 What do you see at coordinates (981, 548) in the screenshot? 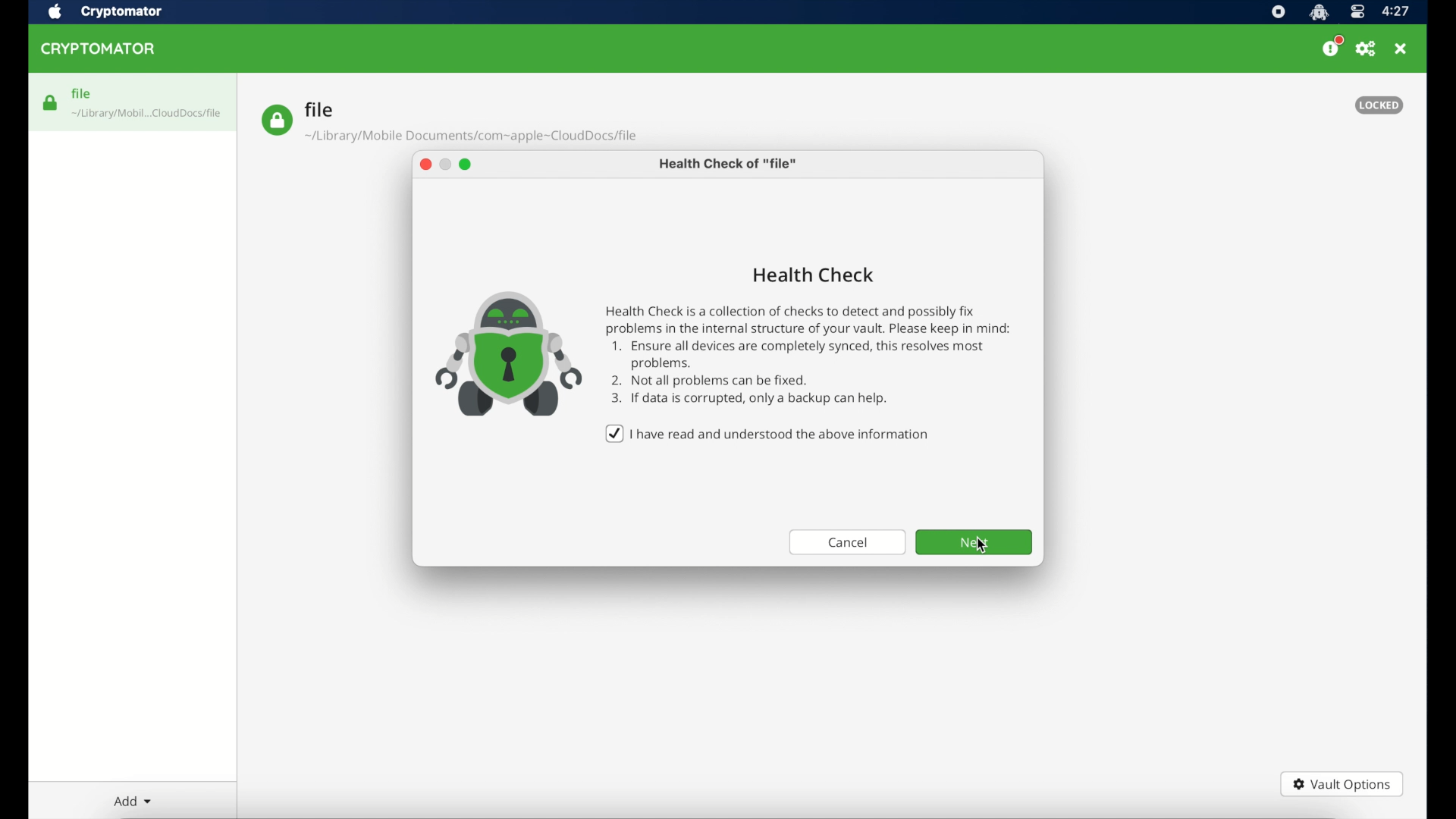
I see `cursor` at bounding box center [981, 548].